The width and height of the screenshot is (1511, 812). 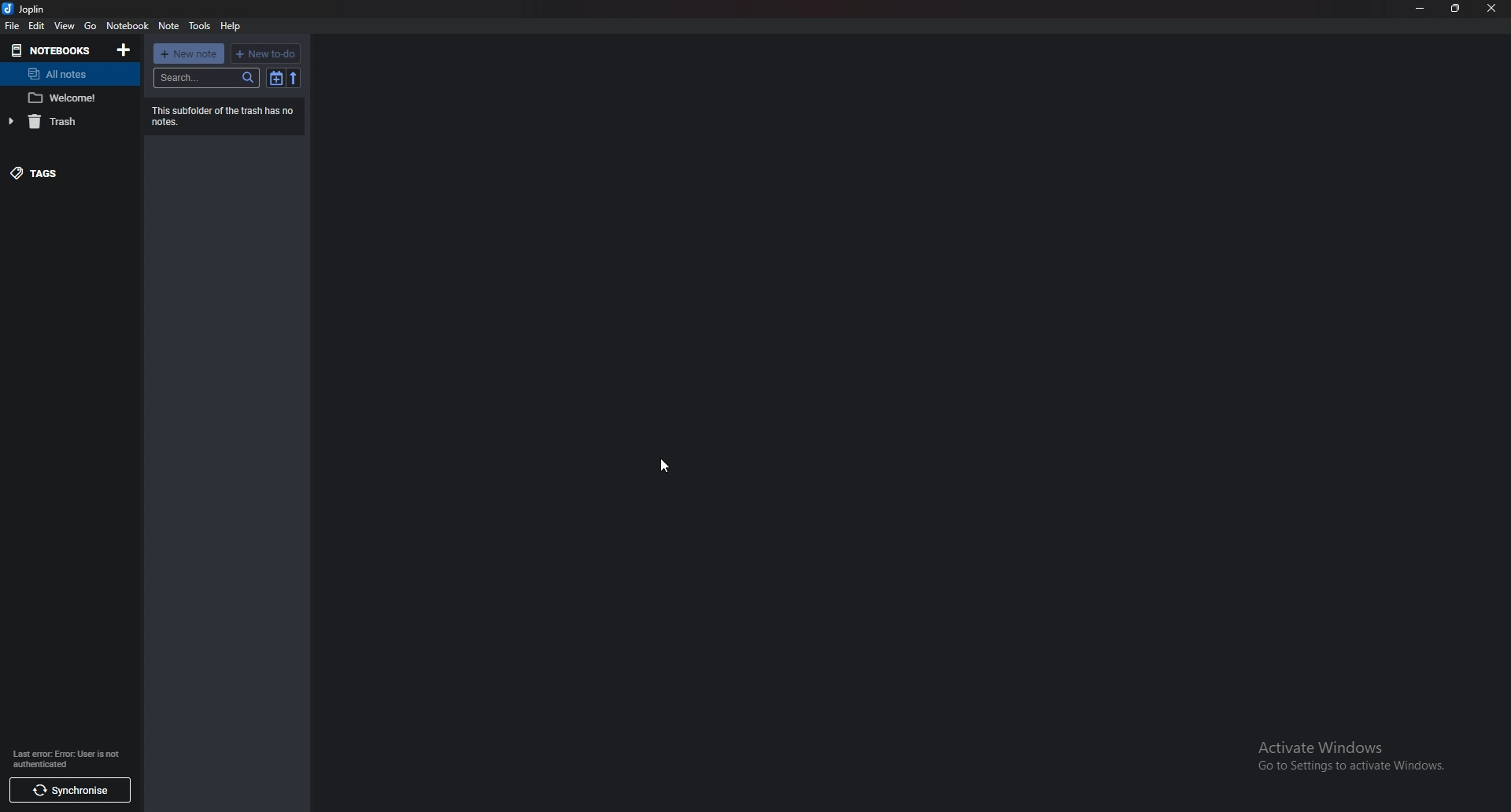 What do you see at coordinates (66, 120) in the screenshot?
I see `trash` at bounding box center [66, 120].